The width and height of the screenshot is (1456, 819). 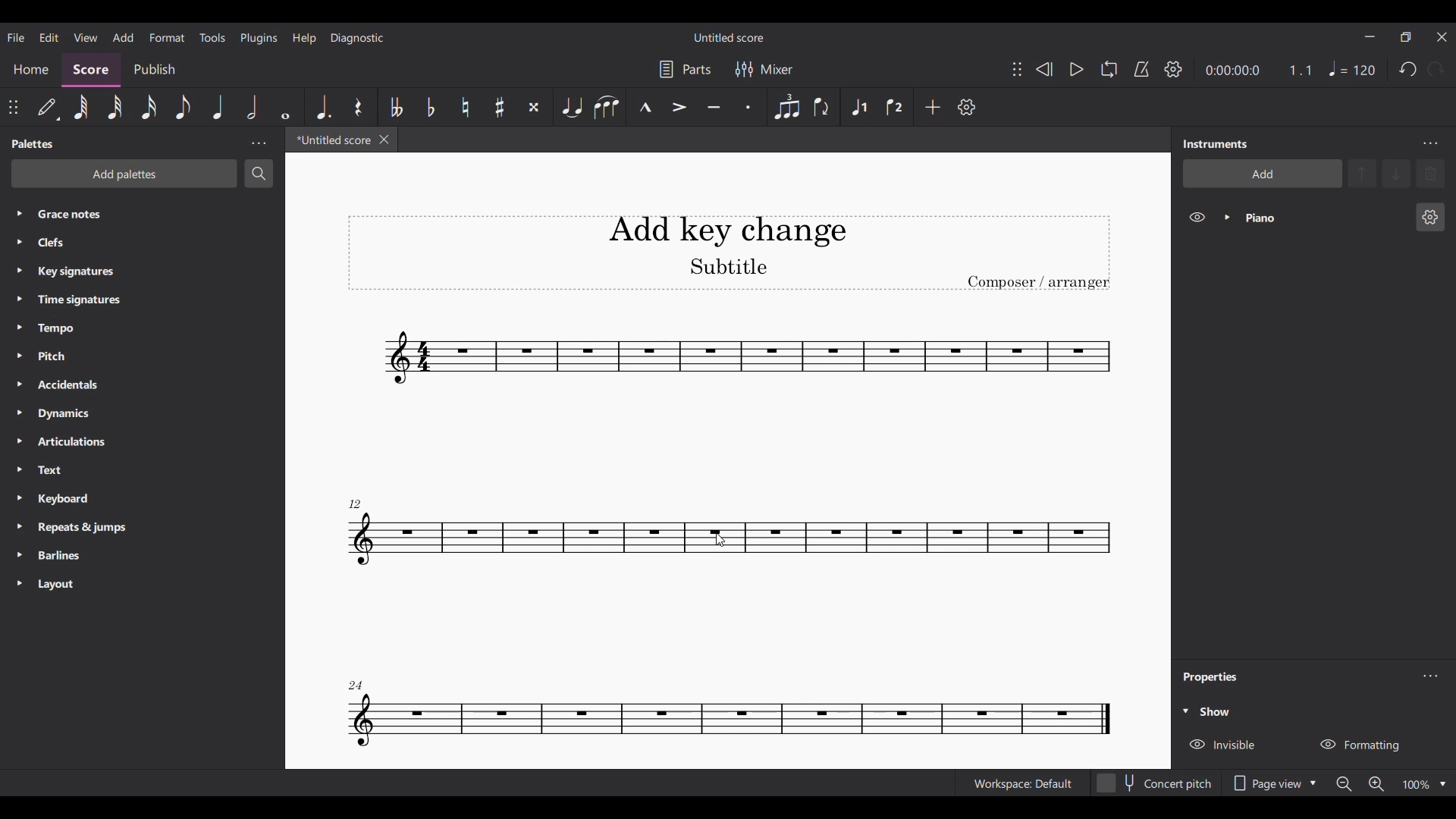 I want to click on Default, so click(x=48, y=105).